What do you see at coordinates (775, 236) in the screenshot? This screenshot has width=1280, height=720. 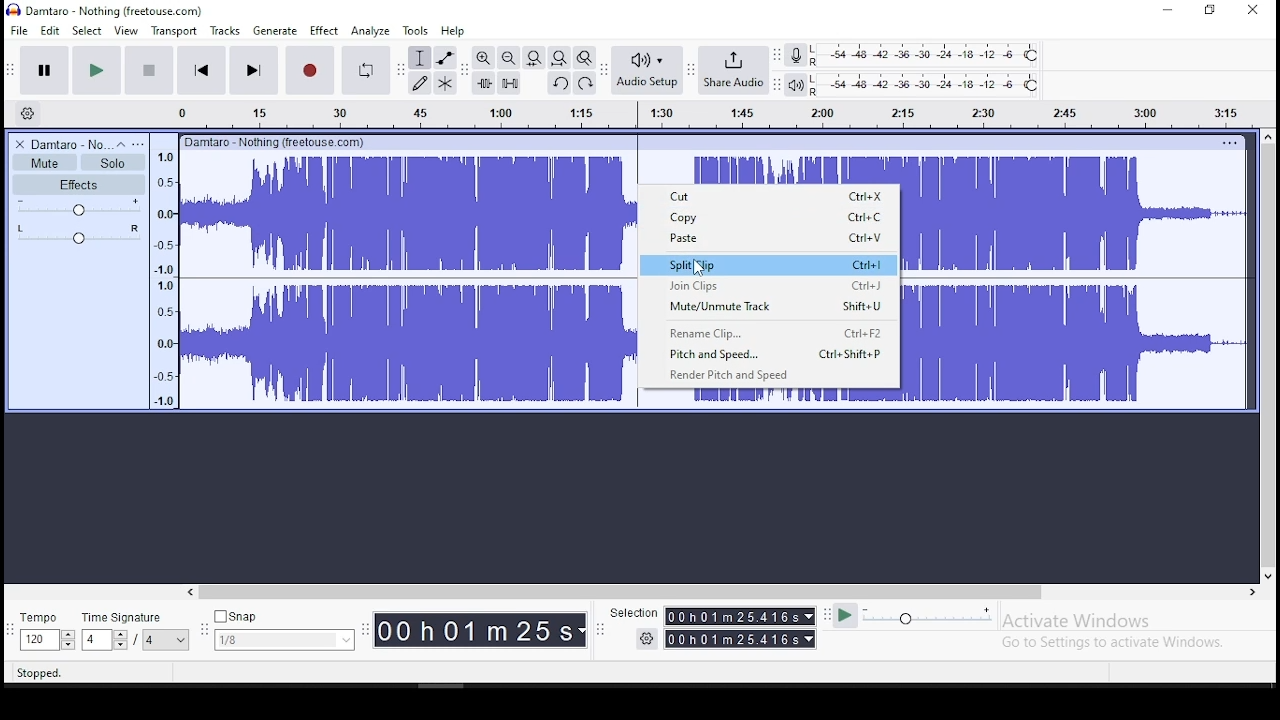 I see `paste ctrl+v` at bounding box center [775, 236].